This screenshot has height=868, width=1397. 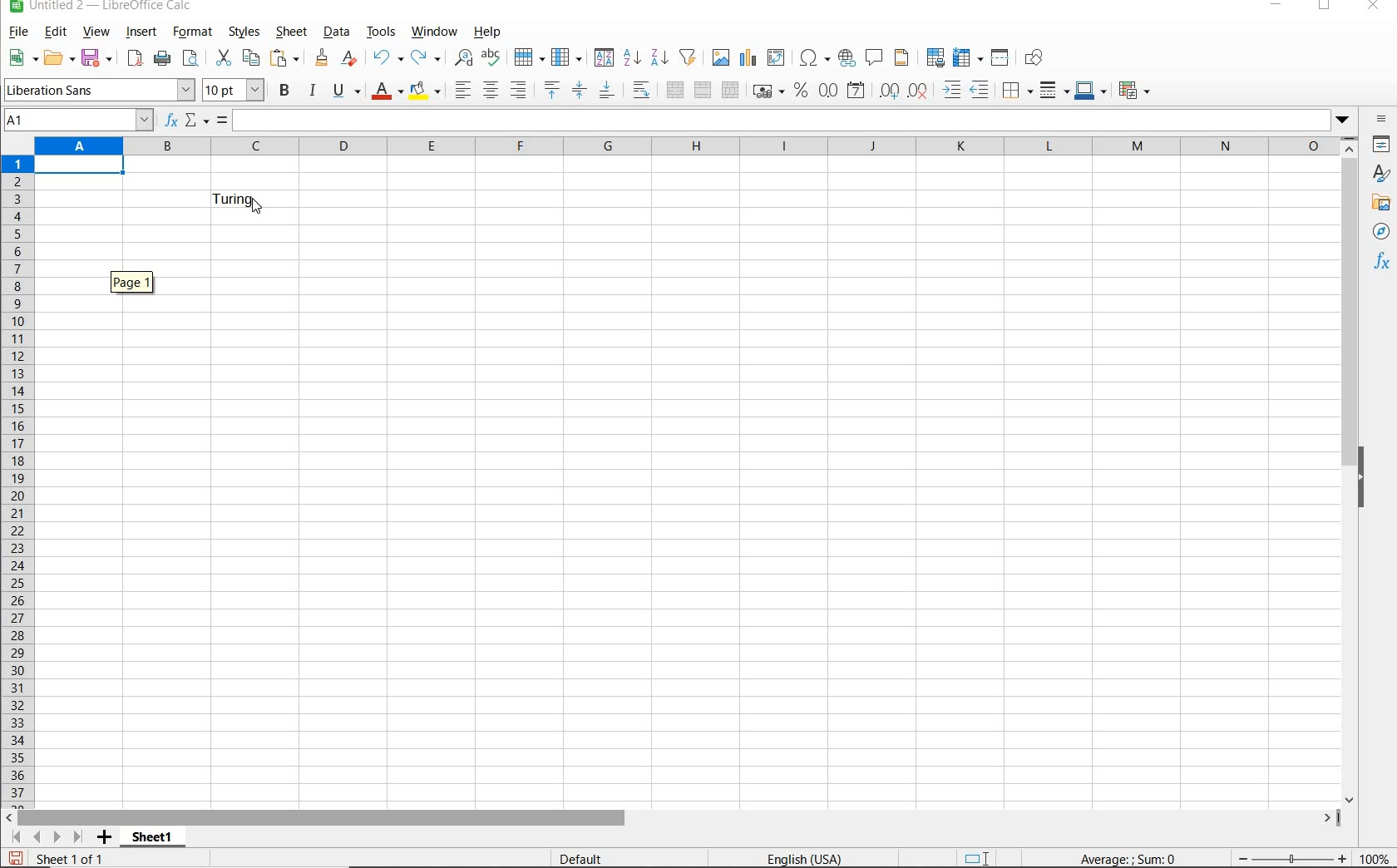 I want to click on COLUMNS, so click(x=684, y=145).